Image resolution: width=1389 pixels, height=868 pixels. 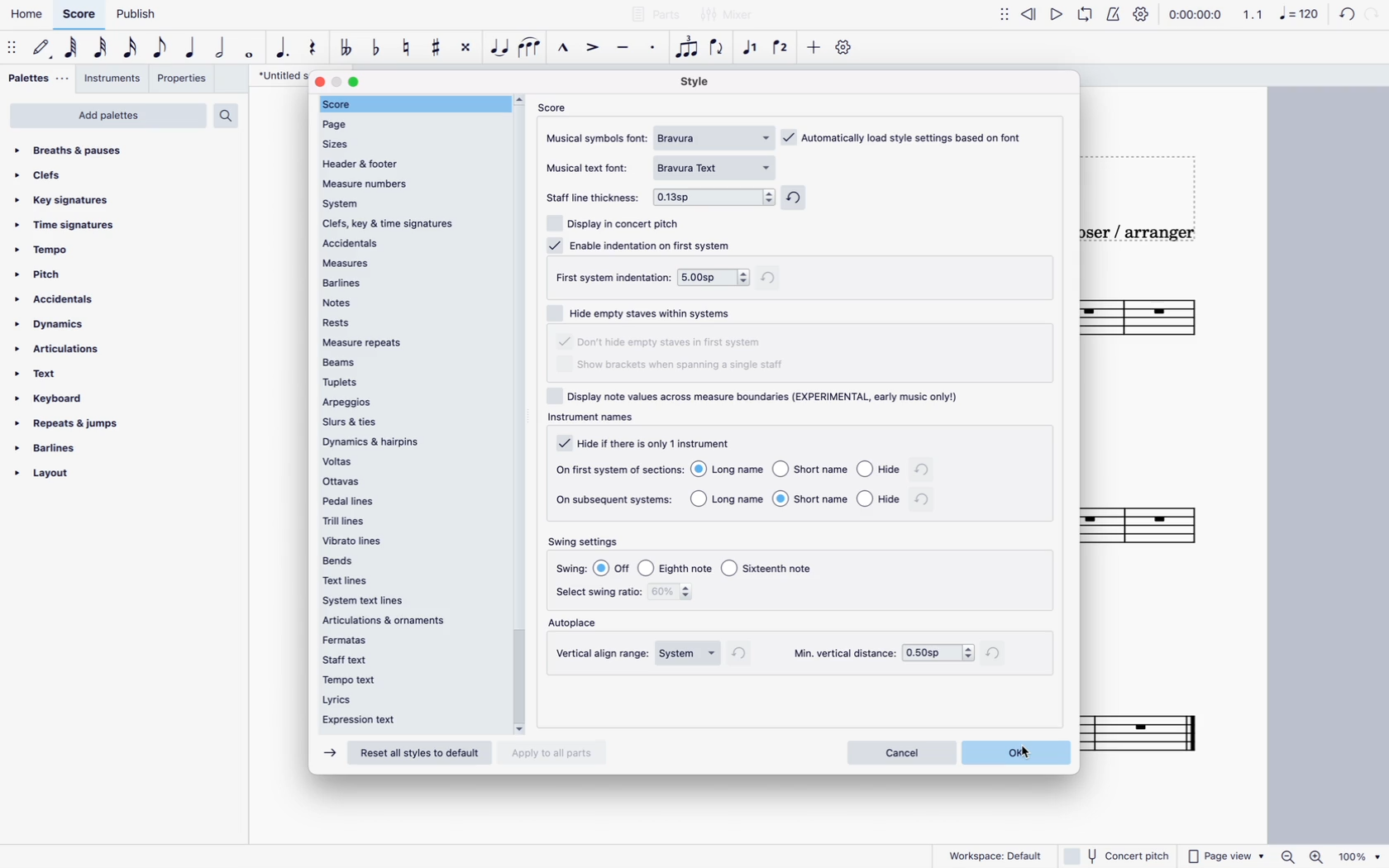 I want to click on , so click(x=1119, y=855).